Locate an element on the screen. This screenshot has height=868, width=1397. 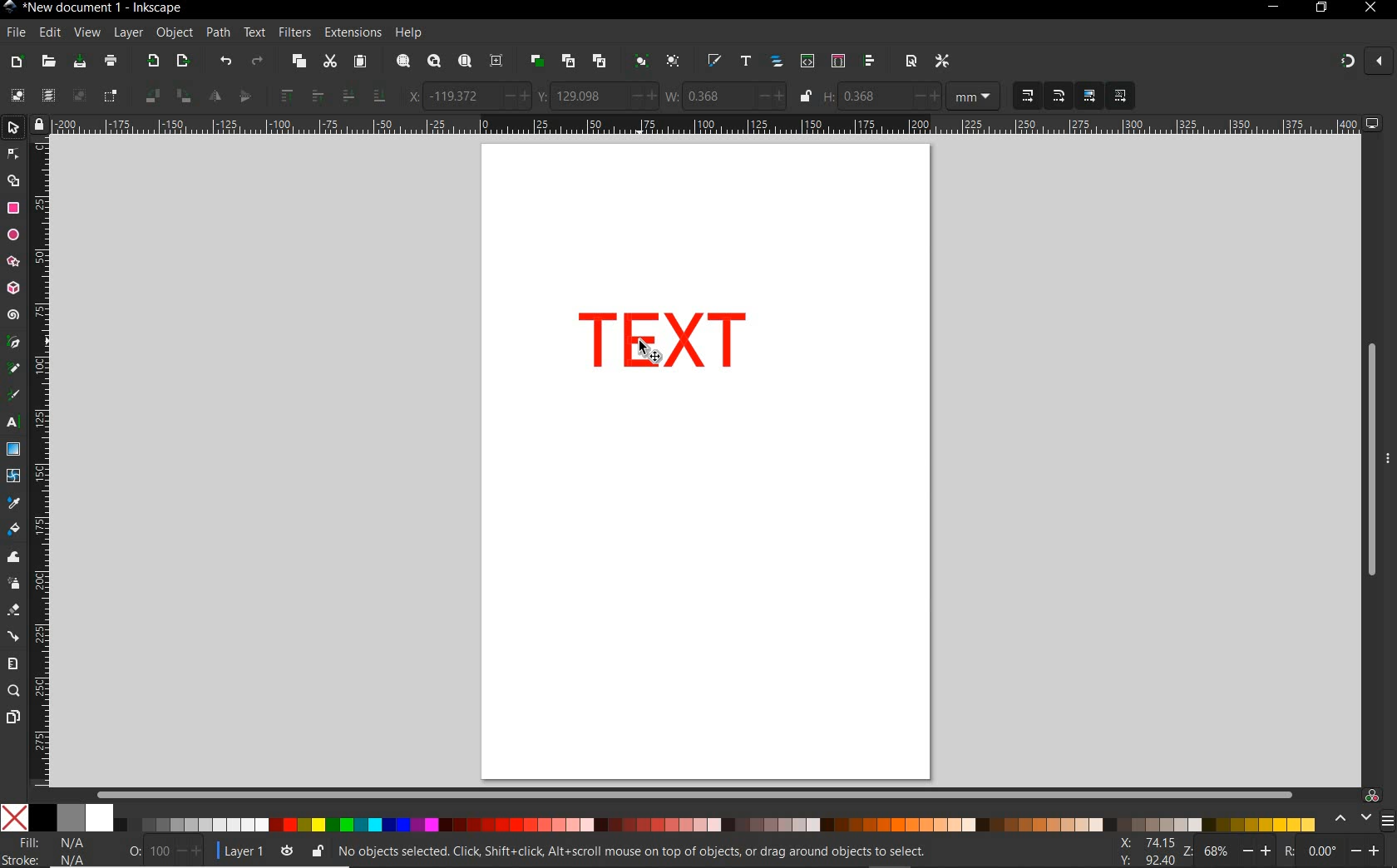
EXTENSIONS is located at coordinates (351, 32).